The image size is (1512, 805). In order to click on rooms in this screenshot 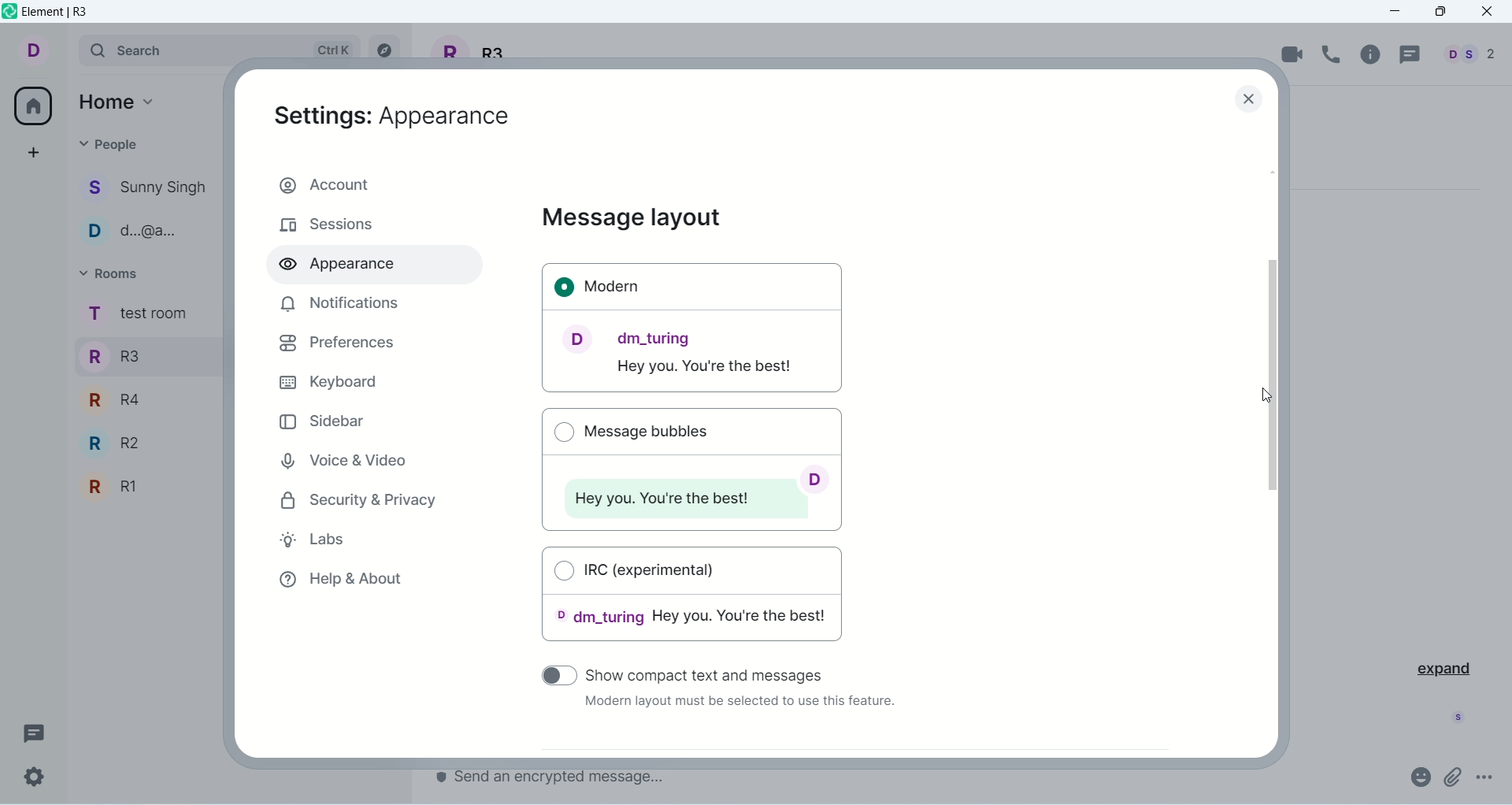, I will do `click(135, 315)`.